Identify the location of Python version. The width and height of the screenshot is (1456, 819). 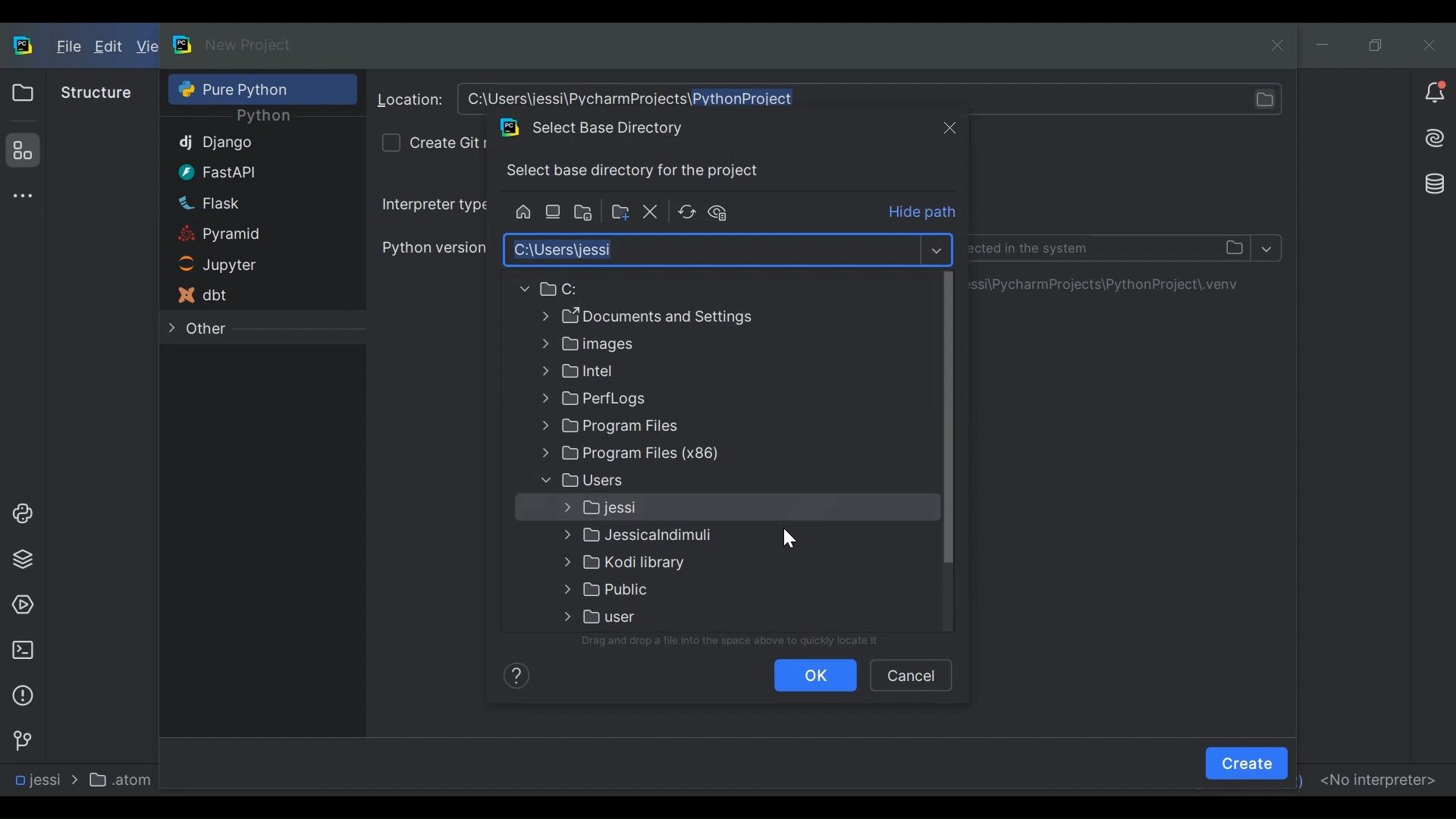
(432, 246).